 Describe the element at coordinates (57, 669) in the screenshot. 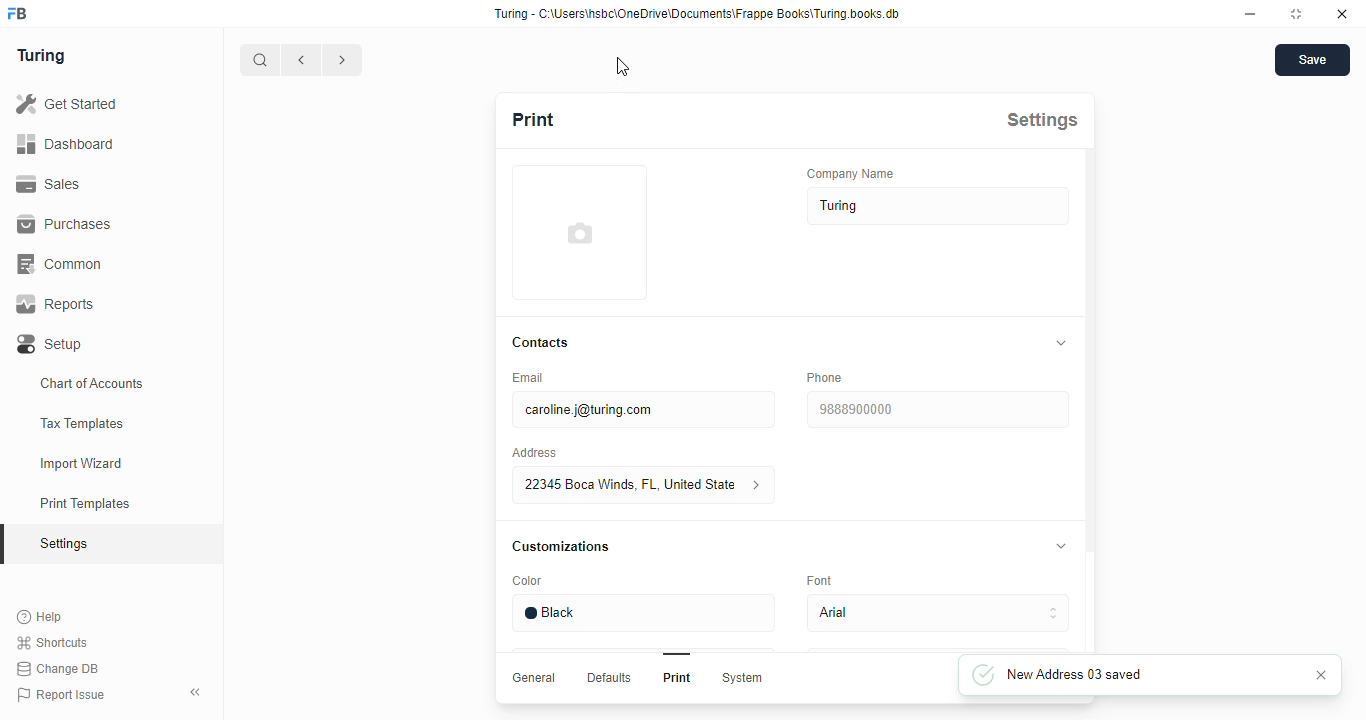

I see `change DB` at that location.